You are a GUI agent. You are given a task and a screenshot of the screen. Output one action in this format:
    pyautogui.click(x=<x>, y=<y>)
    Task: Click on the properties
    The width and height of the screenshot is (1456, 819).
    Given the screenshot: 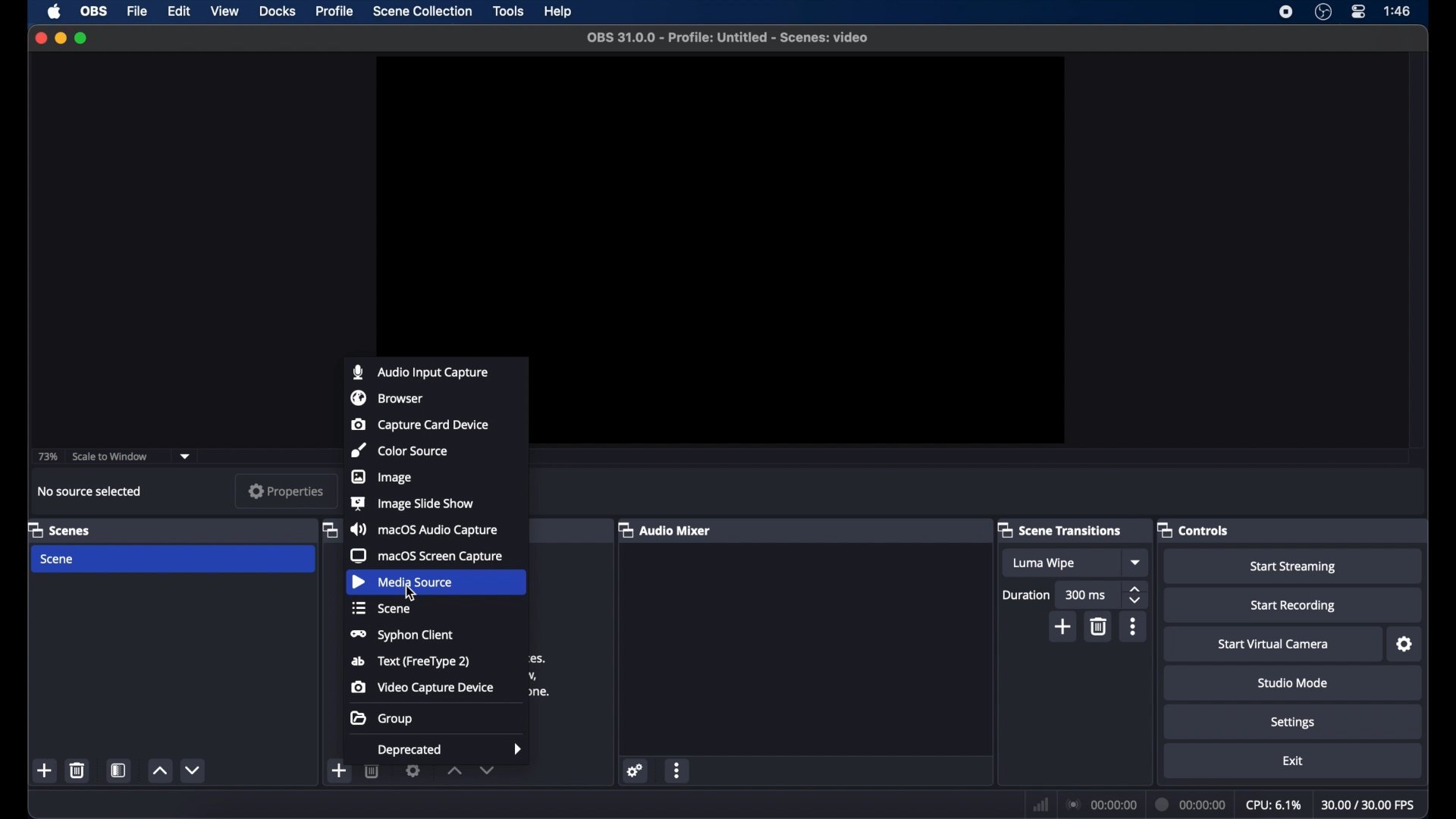 What is the action you would take?
    pyautogui.click(x=287, y=490)
    